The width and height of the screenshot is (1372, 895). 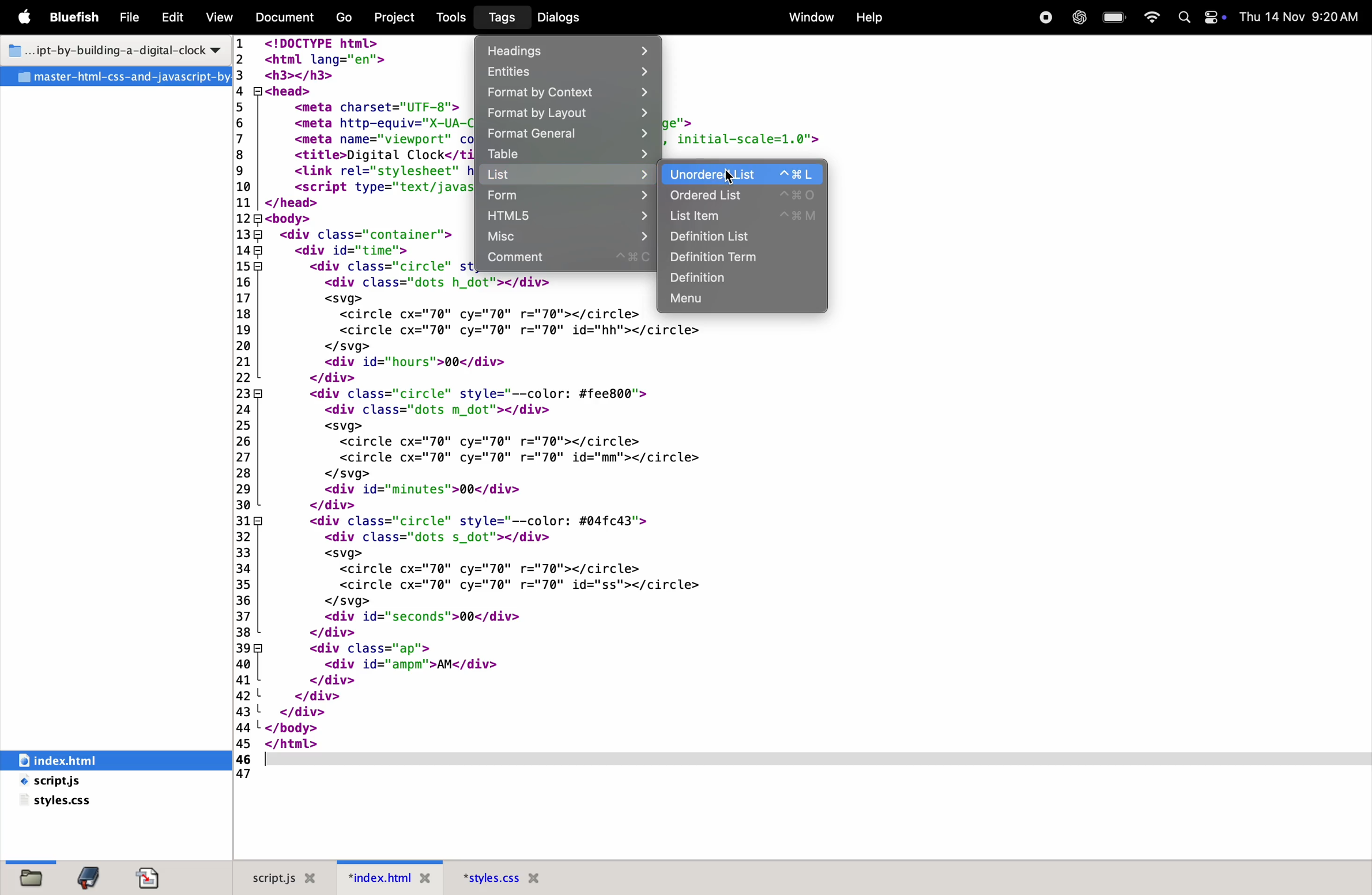 What do you see at coordinates (571, 49) in the screenshot?
I see `heading` at bounding box center [571, 49].